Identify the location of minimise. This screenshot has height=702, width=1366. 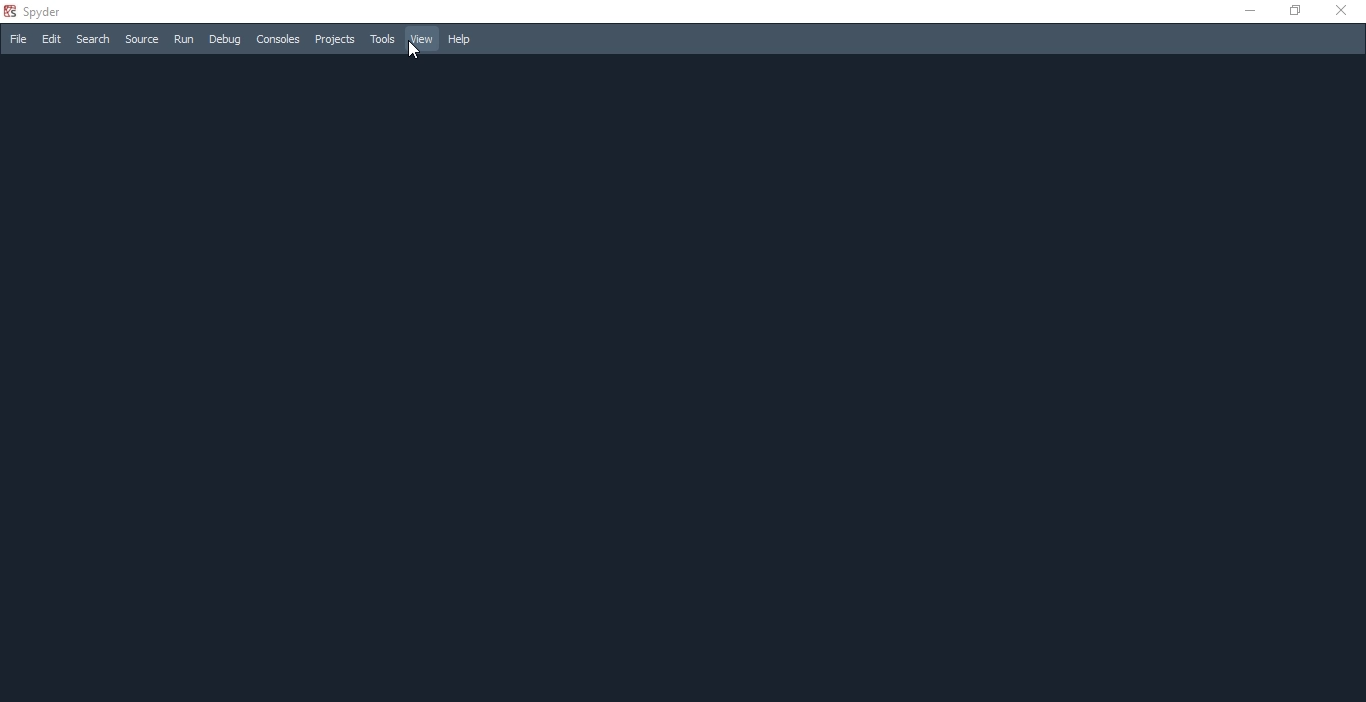
(1245, 11).